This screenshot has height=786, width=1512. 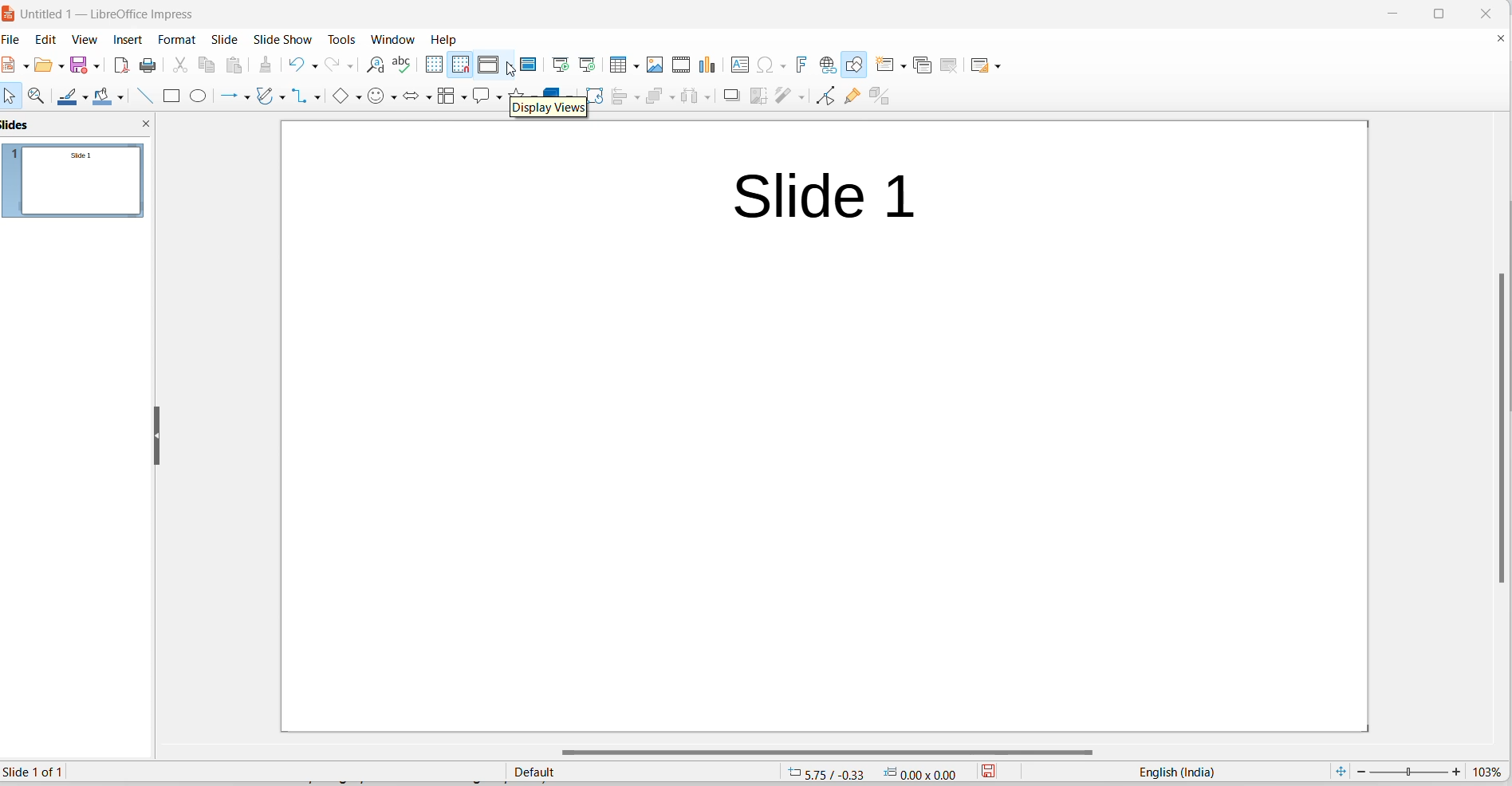 What do you see at coordinates (343, 96) in the screenshot?
I see `basic shapes` at bounding box center [343, 96].